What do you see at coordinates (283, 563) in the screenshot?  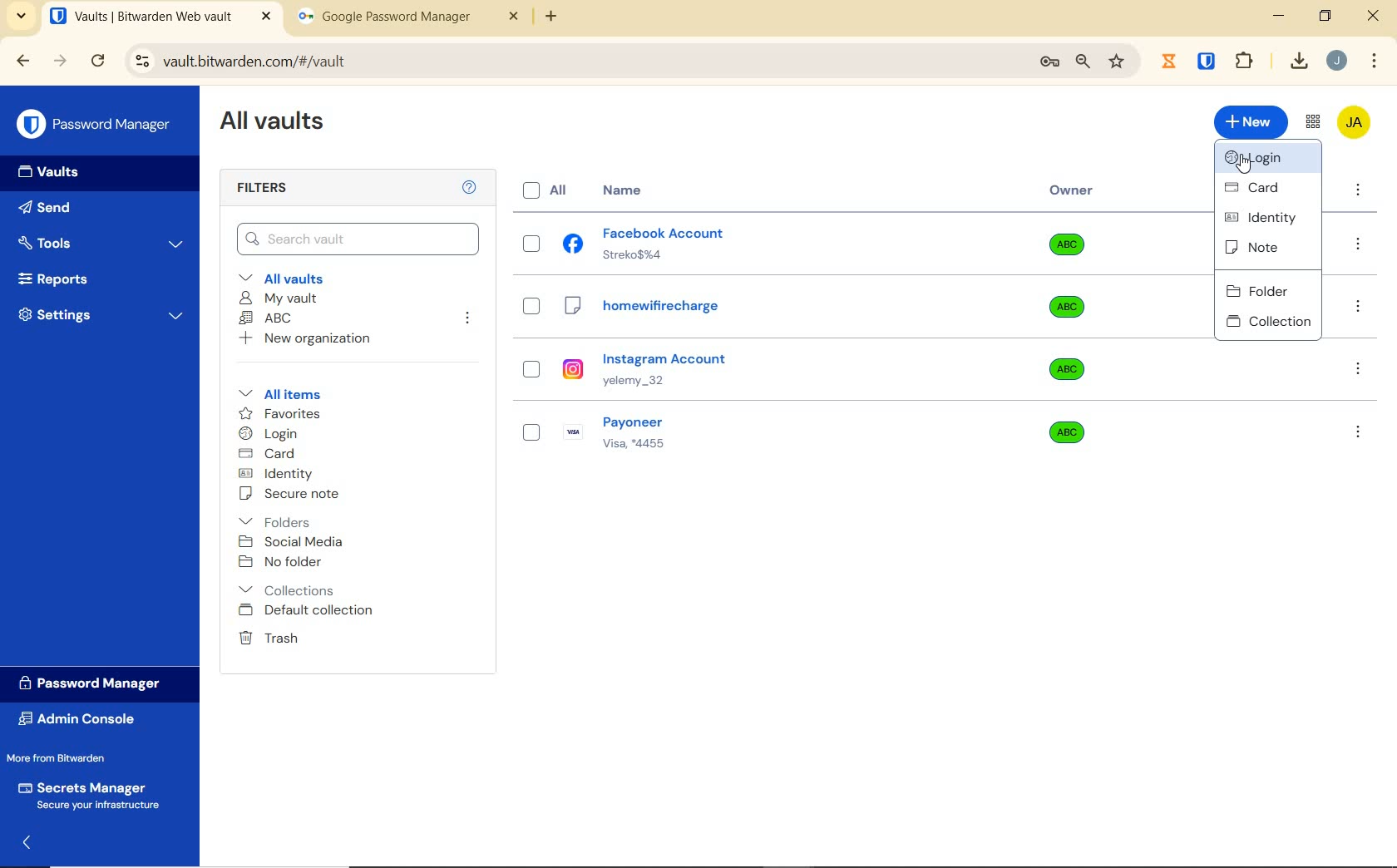 I see `No folder` at bounding box center [283, 563].